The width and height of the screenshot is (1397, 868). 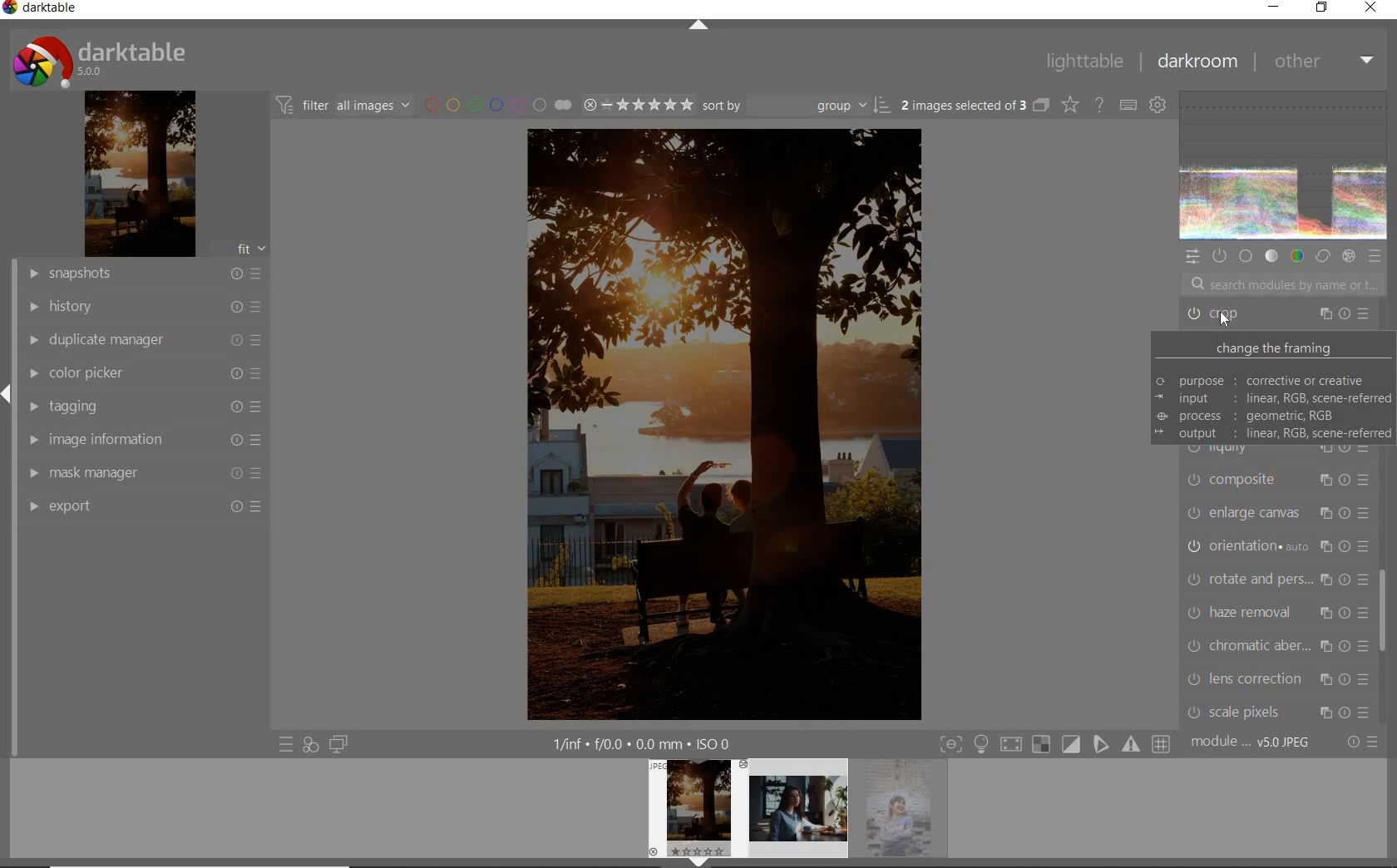 I want to click on chromatic, so click(x=1279, y=645).